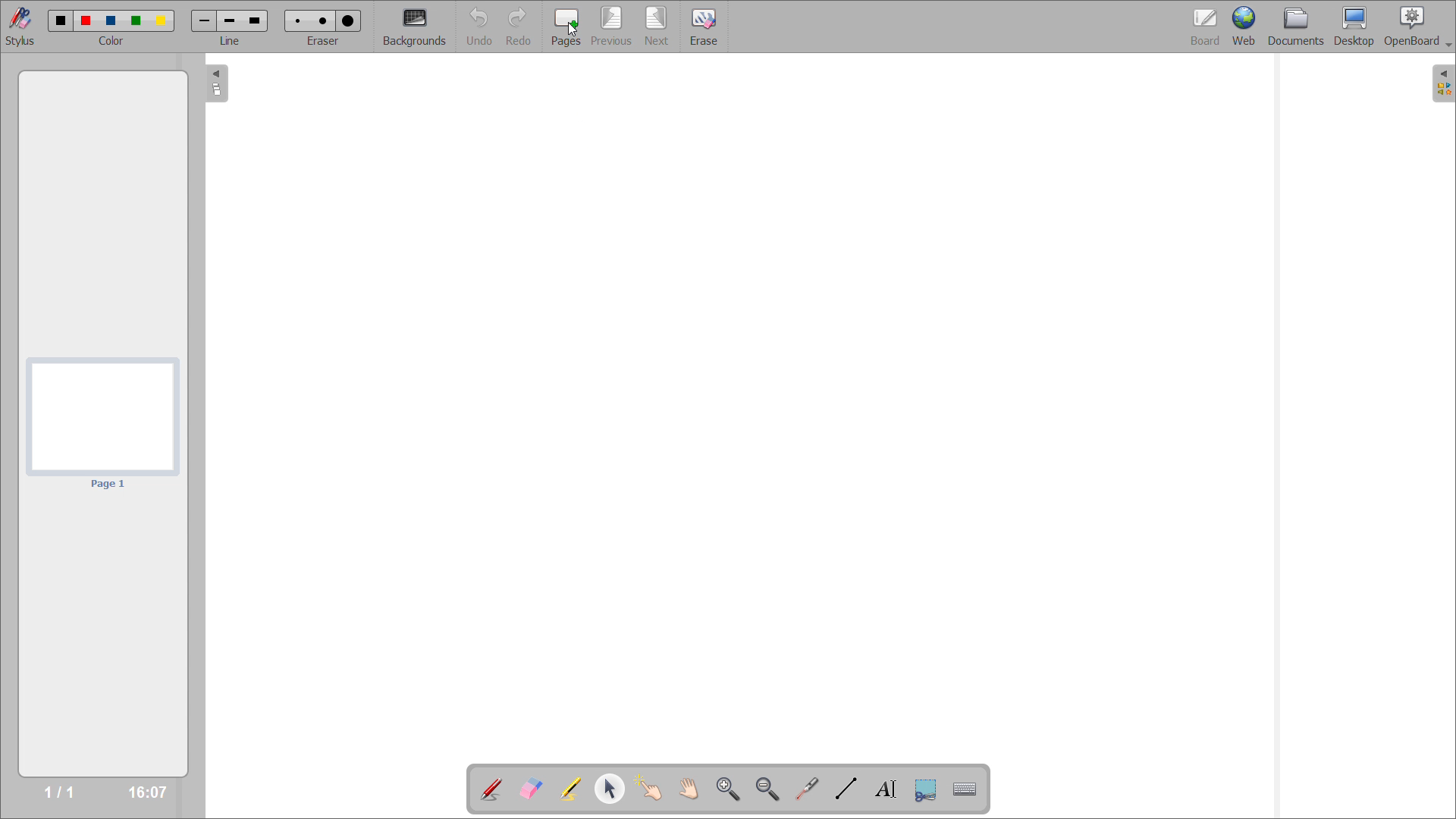  What do you see at coordinates (886, 789) in the screenshot?
I see `write text` at bounding box center [886, 789].